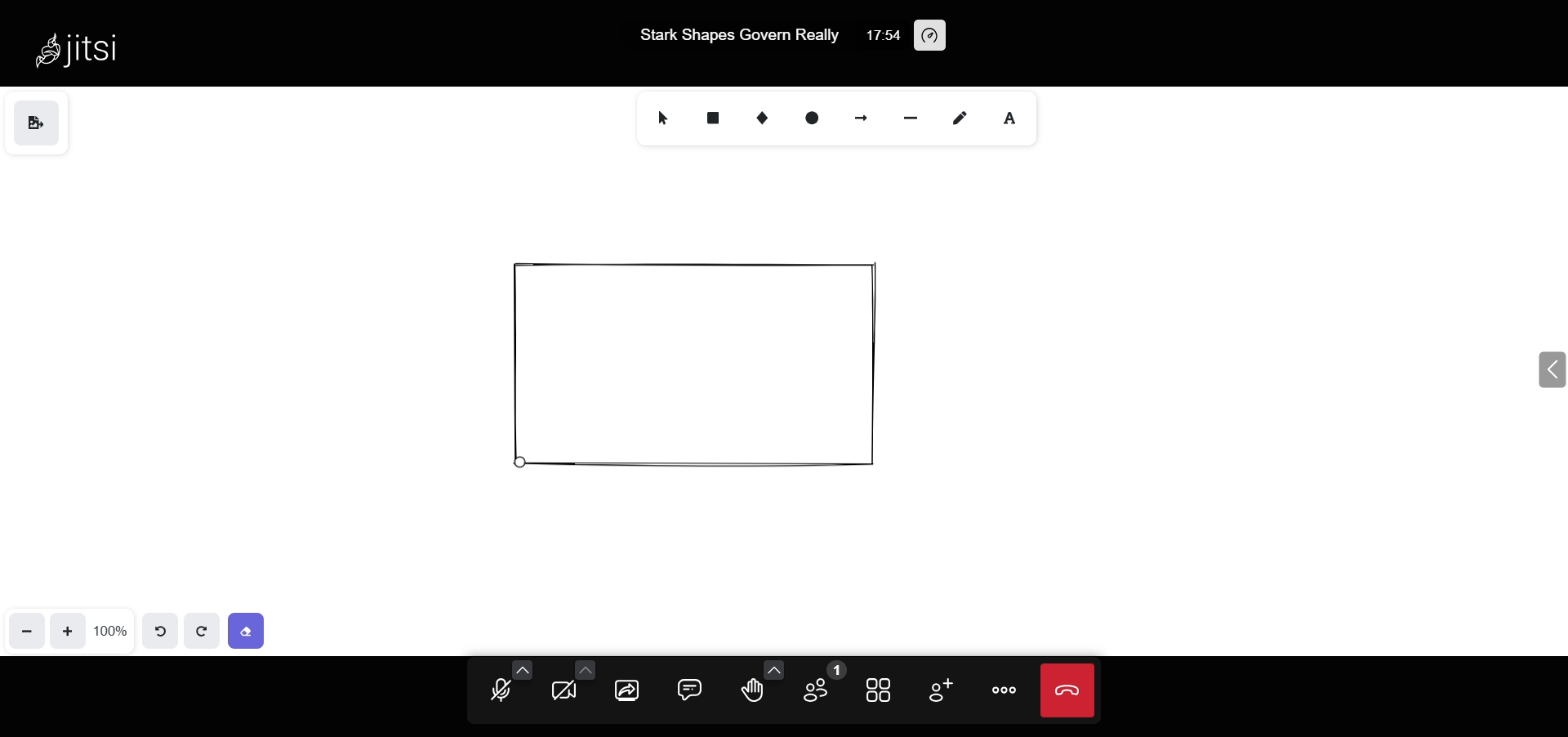 The image size is (1568, 737). Describe the element at coordinates (565, 694) in the screenshot. I see `camera` at that location.